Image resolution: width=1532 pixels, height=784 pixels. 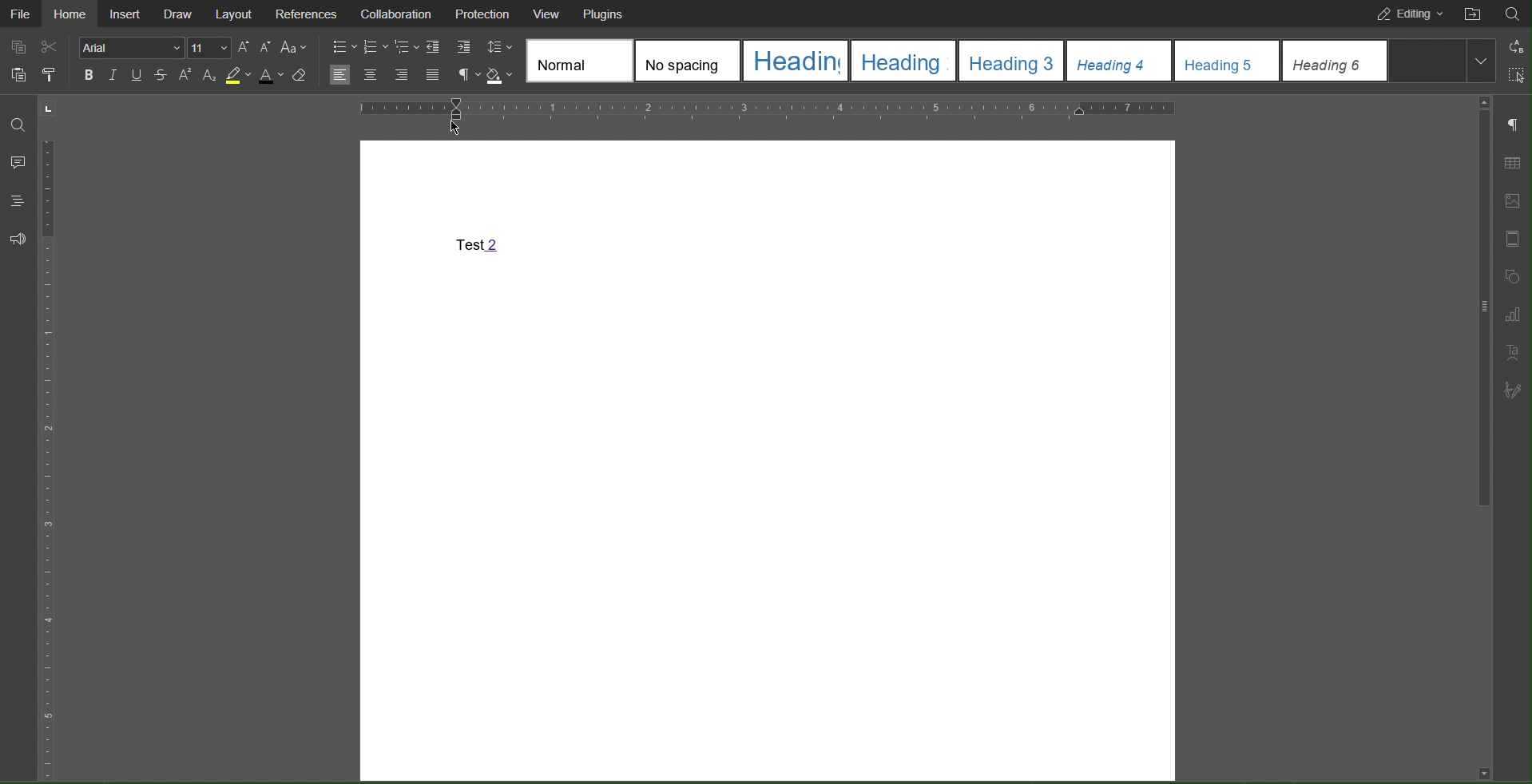 I want to click on Left Align, so click(x=340, y=74).